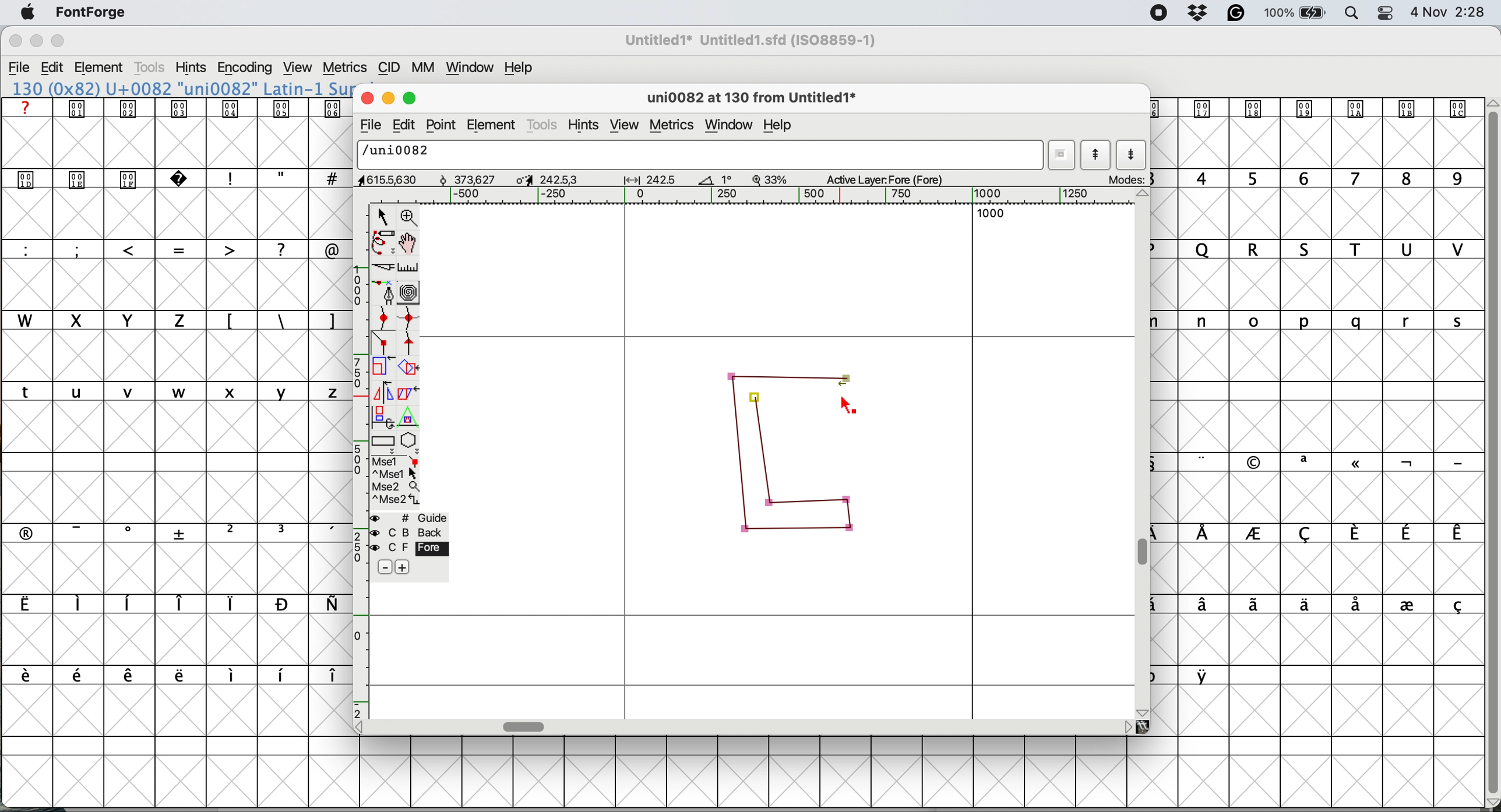 The image size is (1501, 812). What do you see at coordinates (383, 317) in the screenshot?
I see `add a curve point` at bounding box center [383, 317].